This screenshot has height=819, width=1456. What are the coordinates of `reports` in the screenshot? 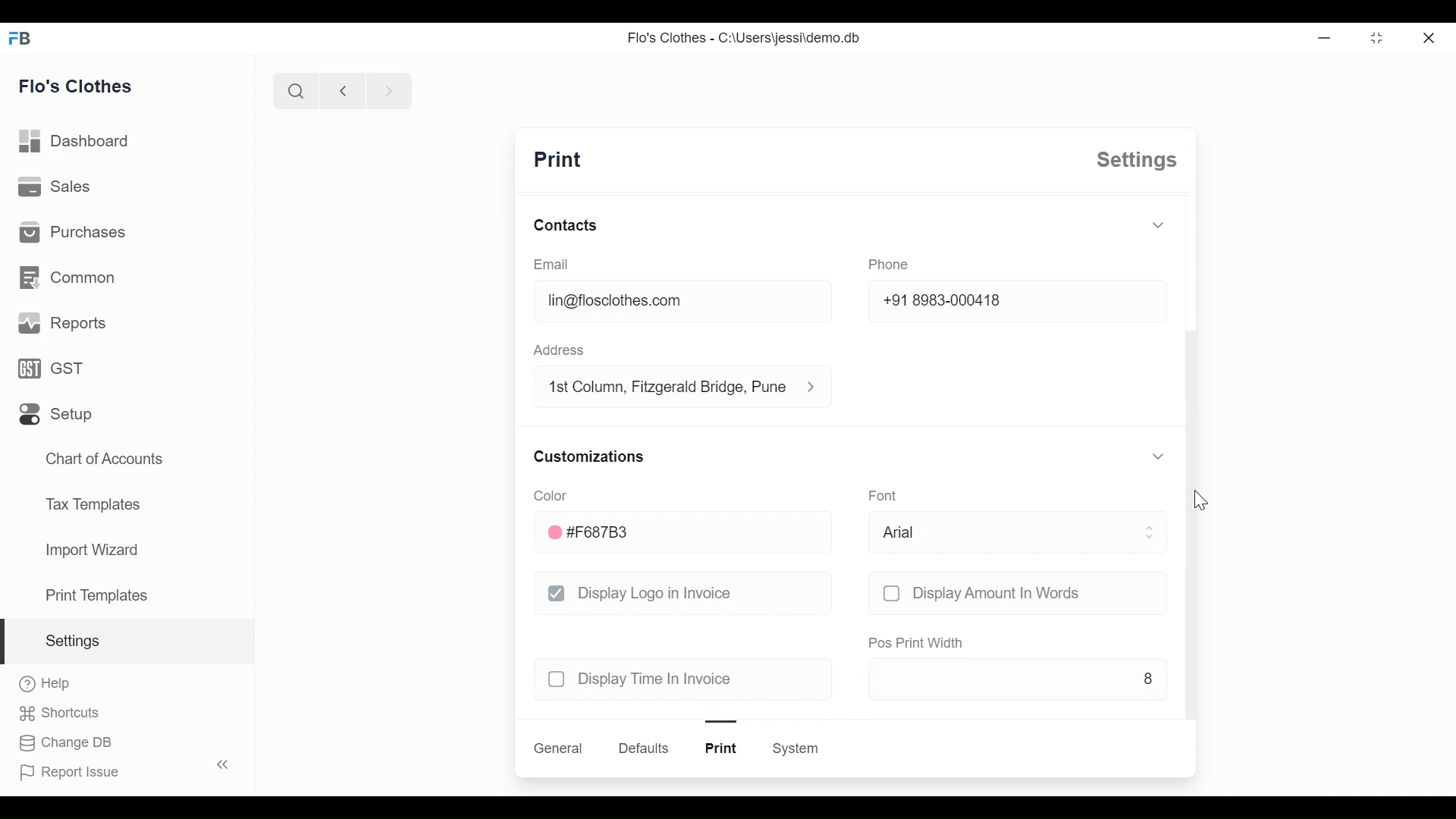 It's located at (64, 323).